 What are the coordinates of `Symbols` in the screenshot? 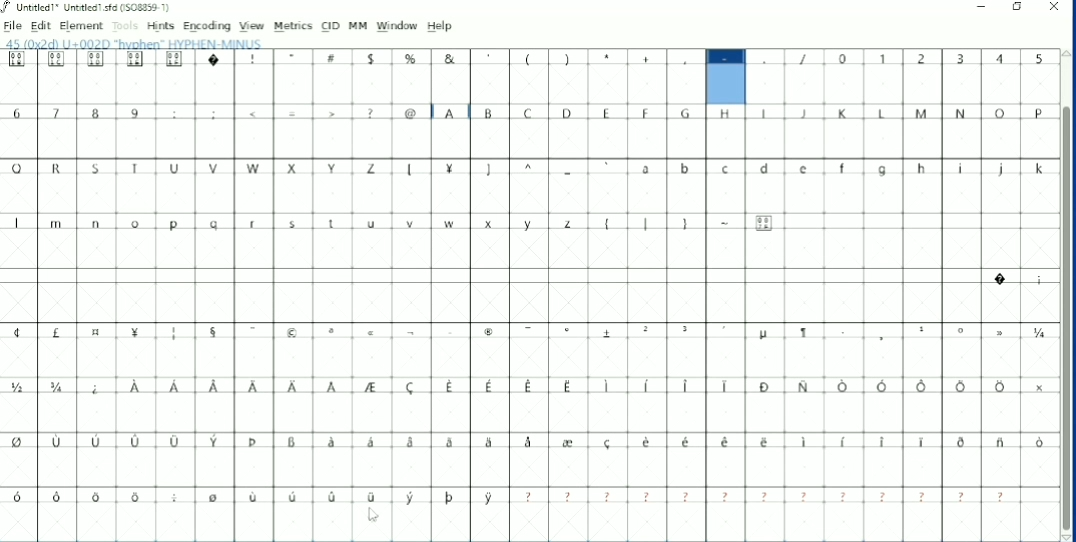 It's located at (688, 223).